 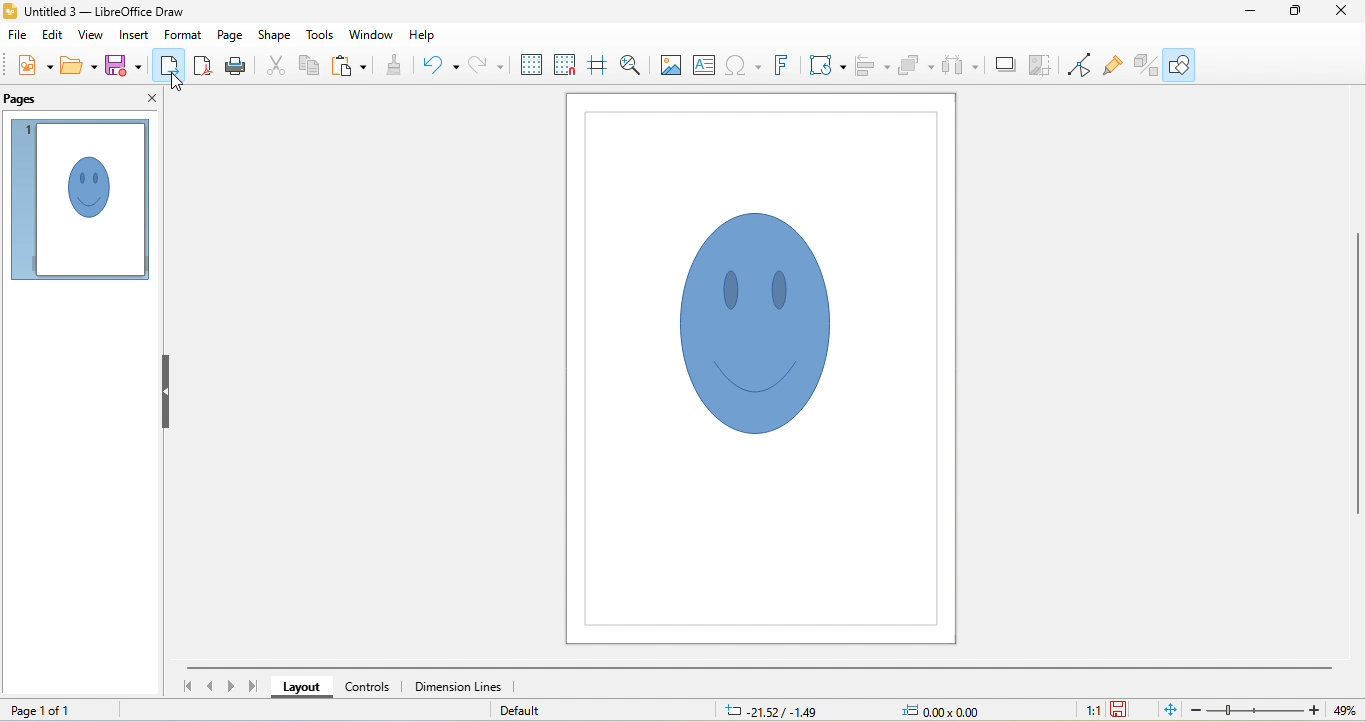 What do you see at coordinates (231, 687) in the screenshot?
I see `next` at bounding box center [231, 687].